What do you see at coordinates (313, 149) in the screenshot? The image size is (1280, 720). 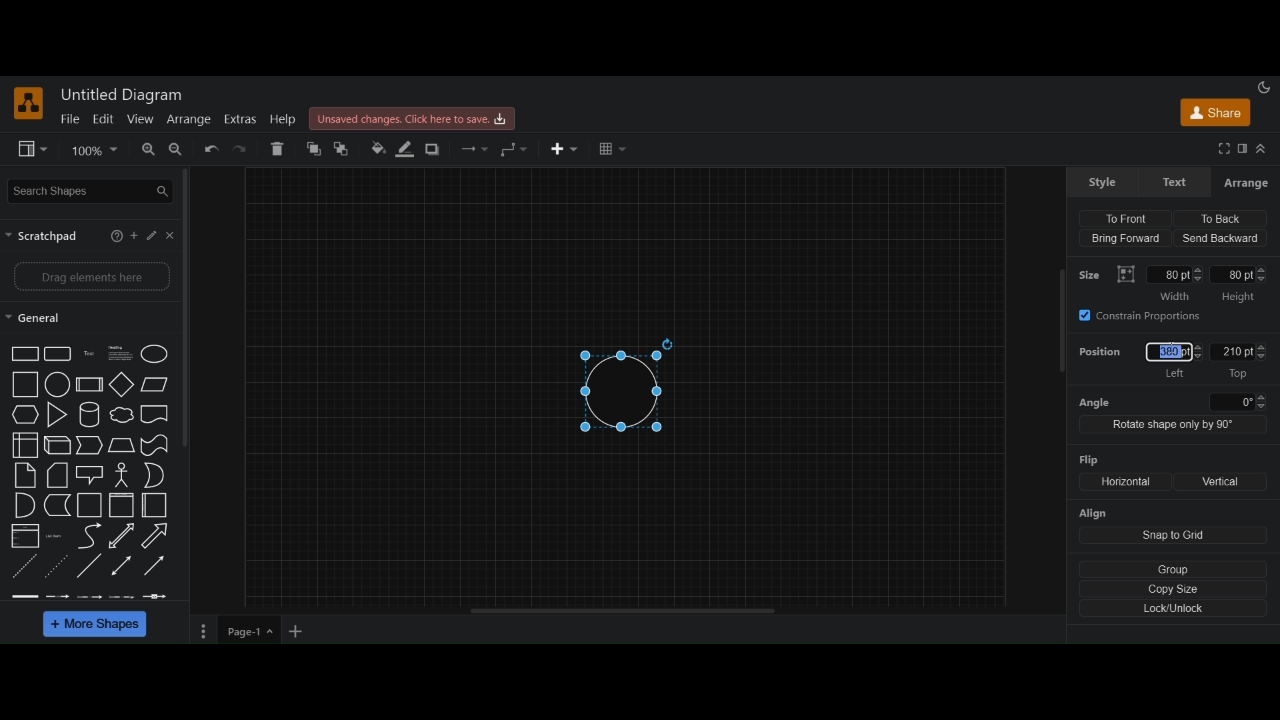 I see `to front` at bounding box center [313, 149].